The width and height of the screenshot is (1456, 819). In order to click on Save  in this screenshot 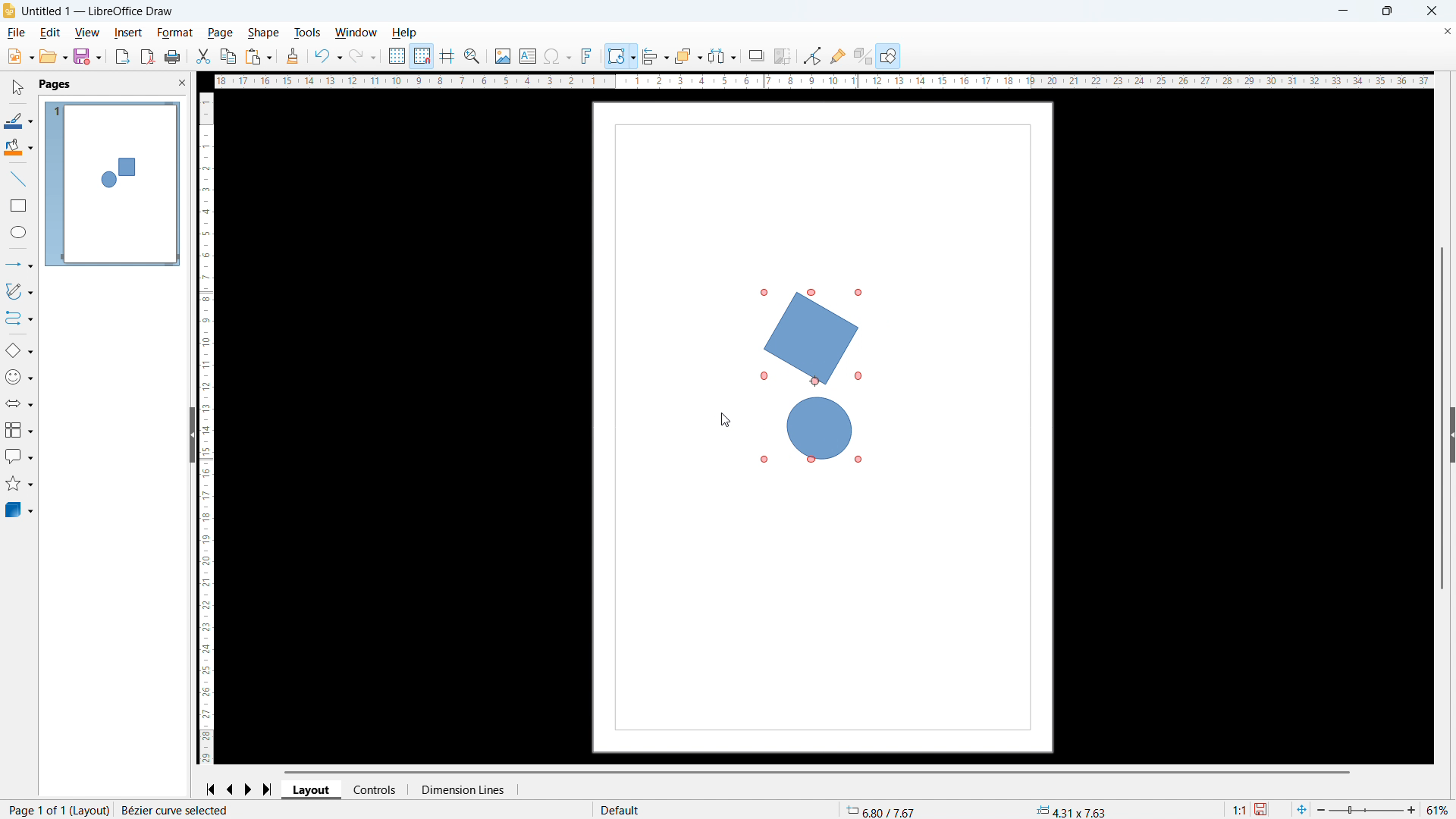, I will do `click(1262, 810)`.